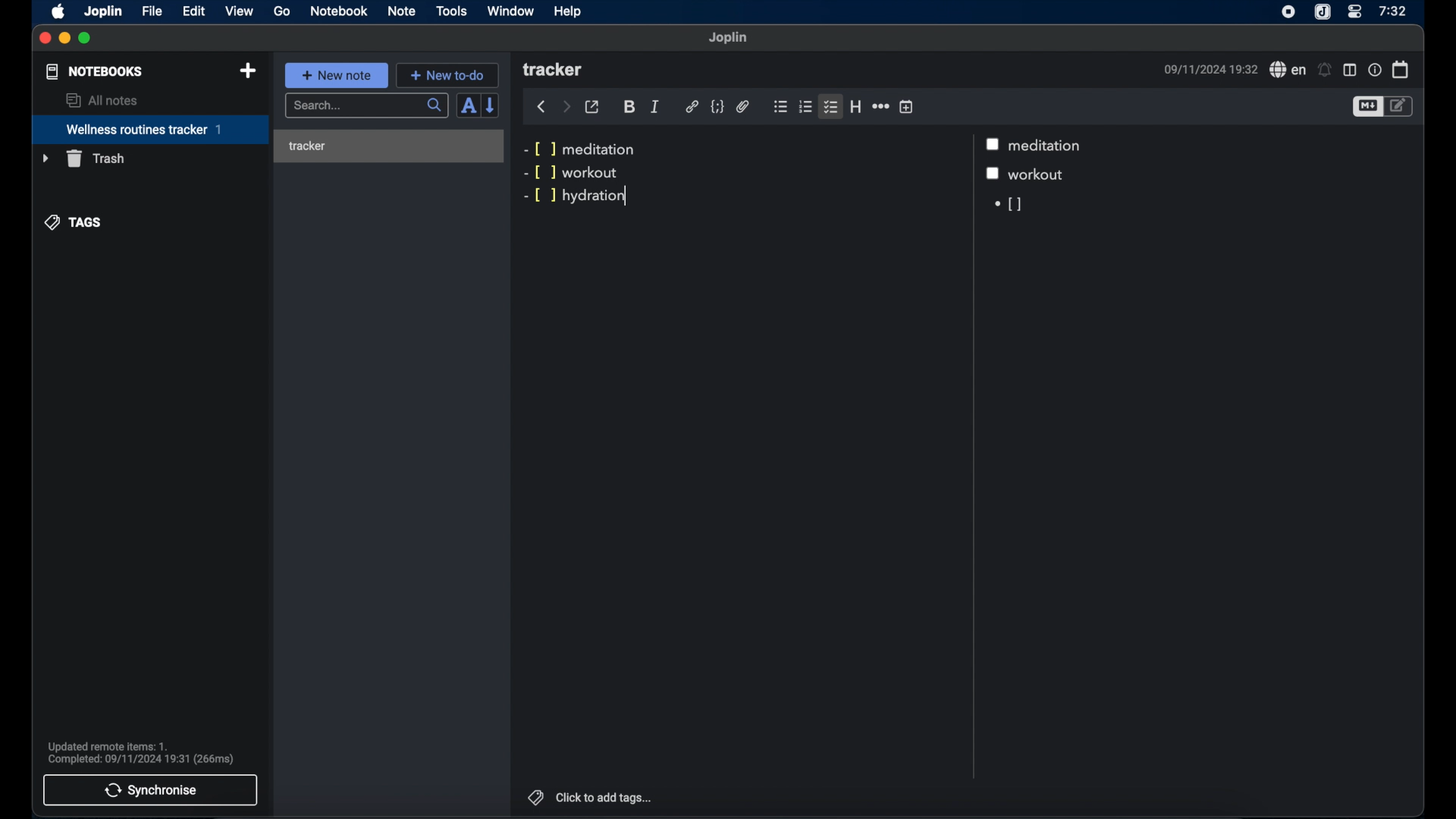  What do you see at coordinates (1374, 69) in the screenshot?
I see `note properties` at bounding box center [1374, 69].